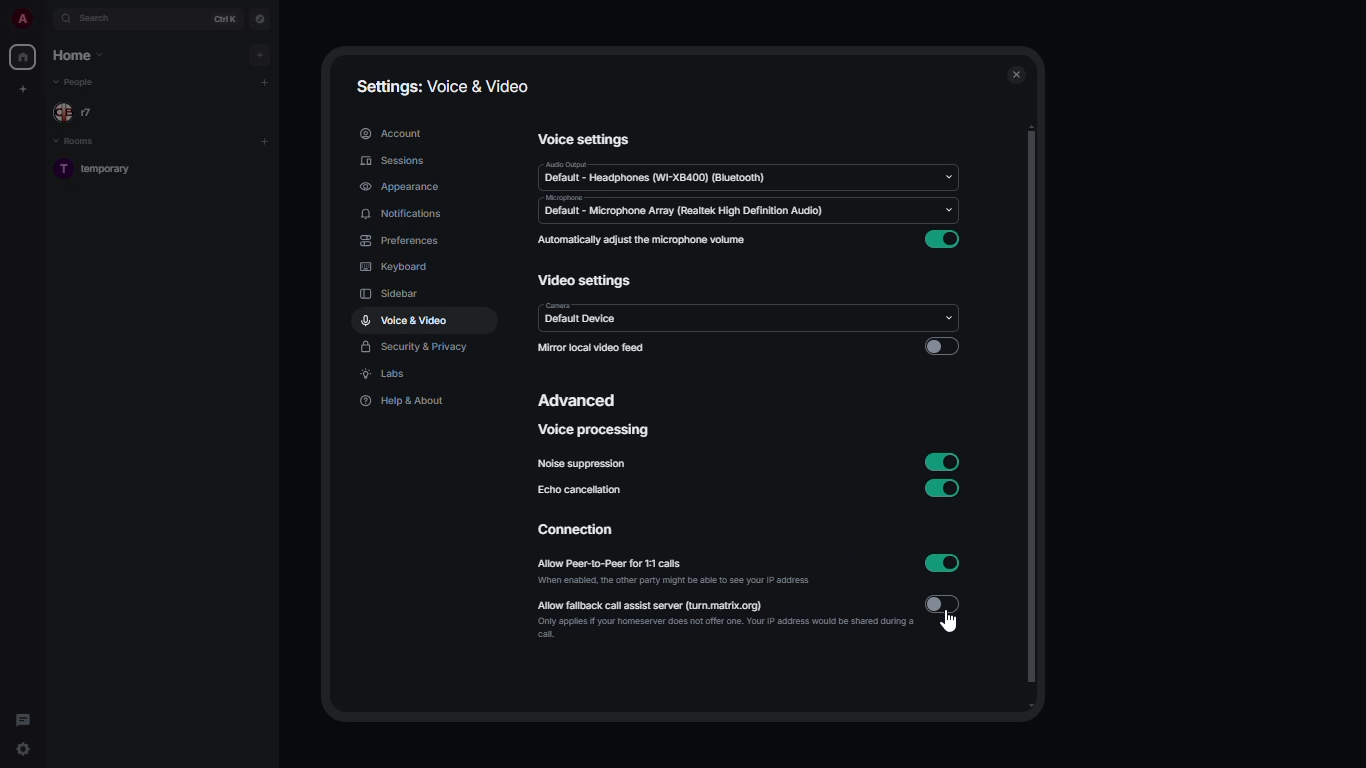 The height and width of the screenshot is (768, 1366). I want to click on Only apes f your Nomeserver does not offer ane. Your P address would be shared during
pes, so click(712, 632).